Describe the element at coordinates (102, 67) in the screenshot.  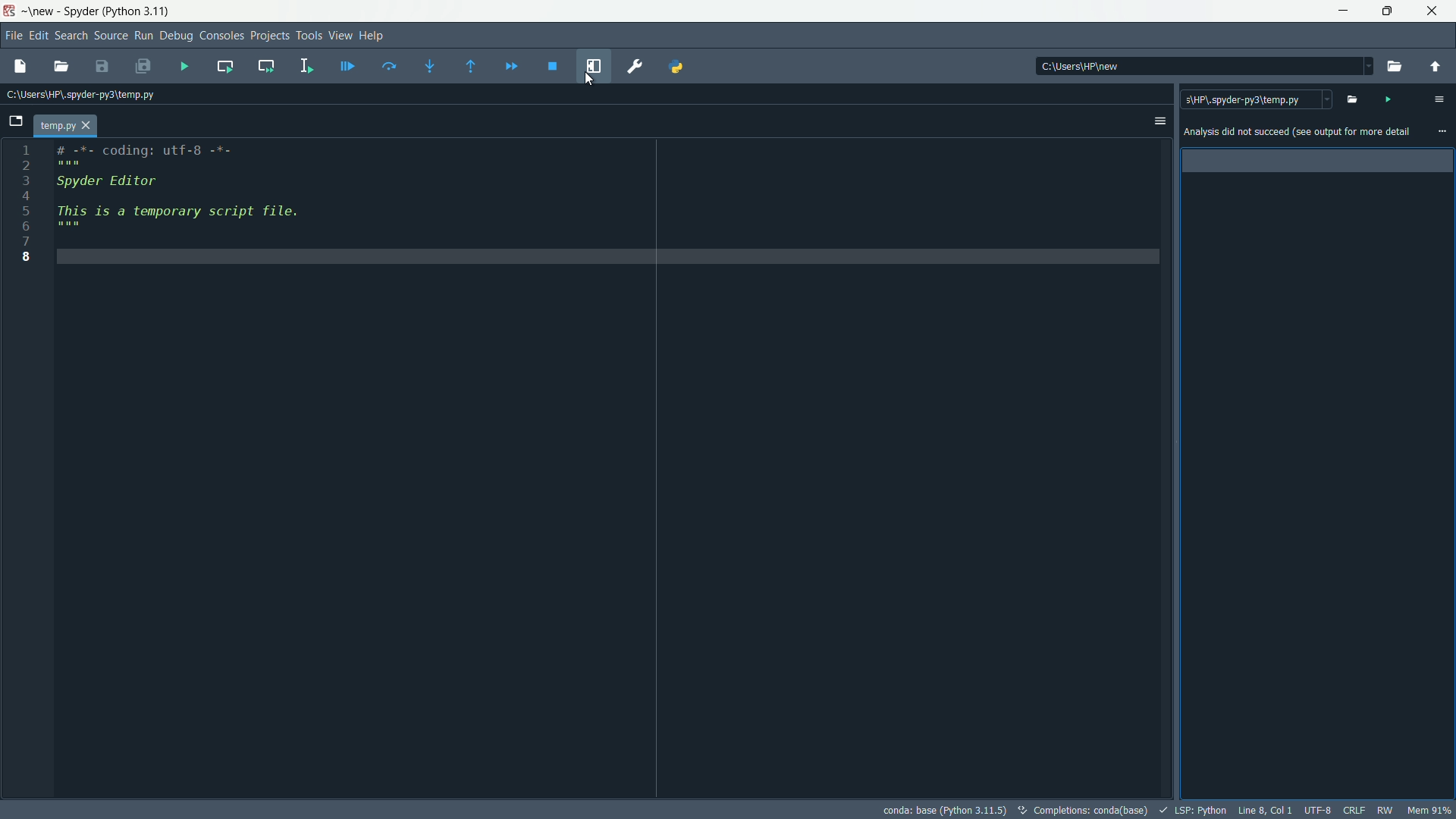
I see `save file` at that location.